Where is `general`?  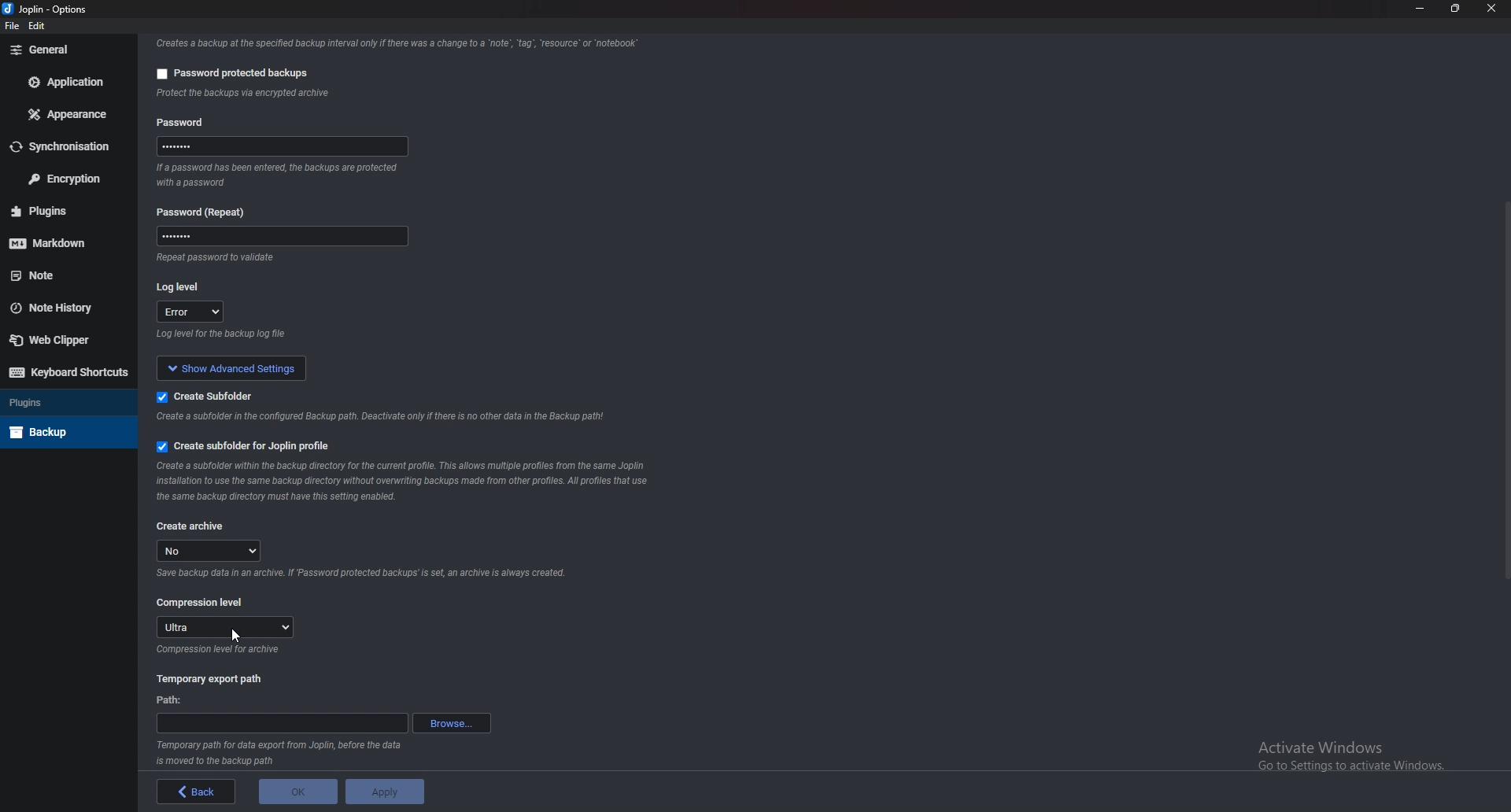
general is located at coordinates (64, 50).